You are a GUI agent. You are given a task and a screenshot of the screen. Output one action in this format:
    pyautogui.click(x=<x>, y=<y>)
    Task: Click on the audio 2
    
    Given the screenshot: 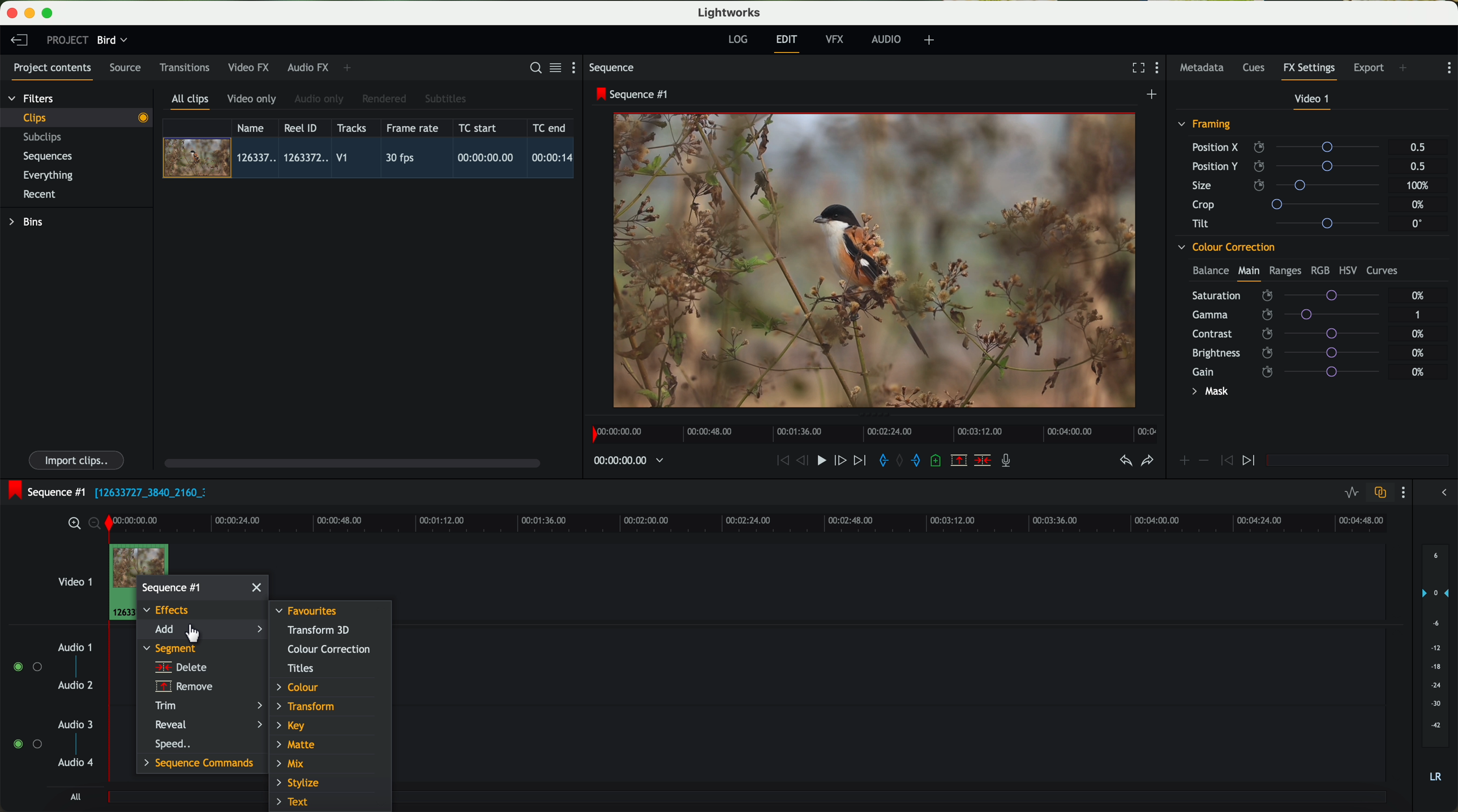 What is the action you would take?
    pyautogui.click(x=76, y=686)
    